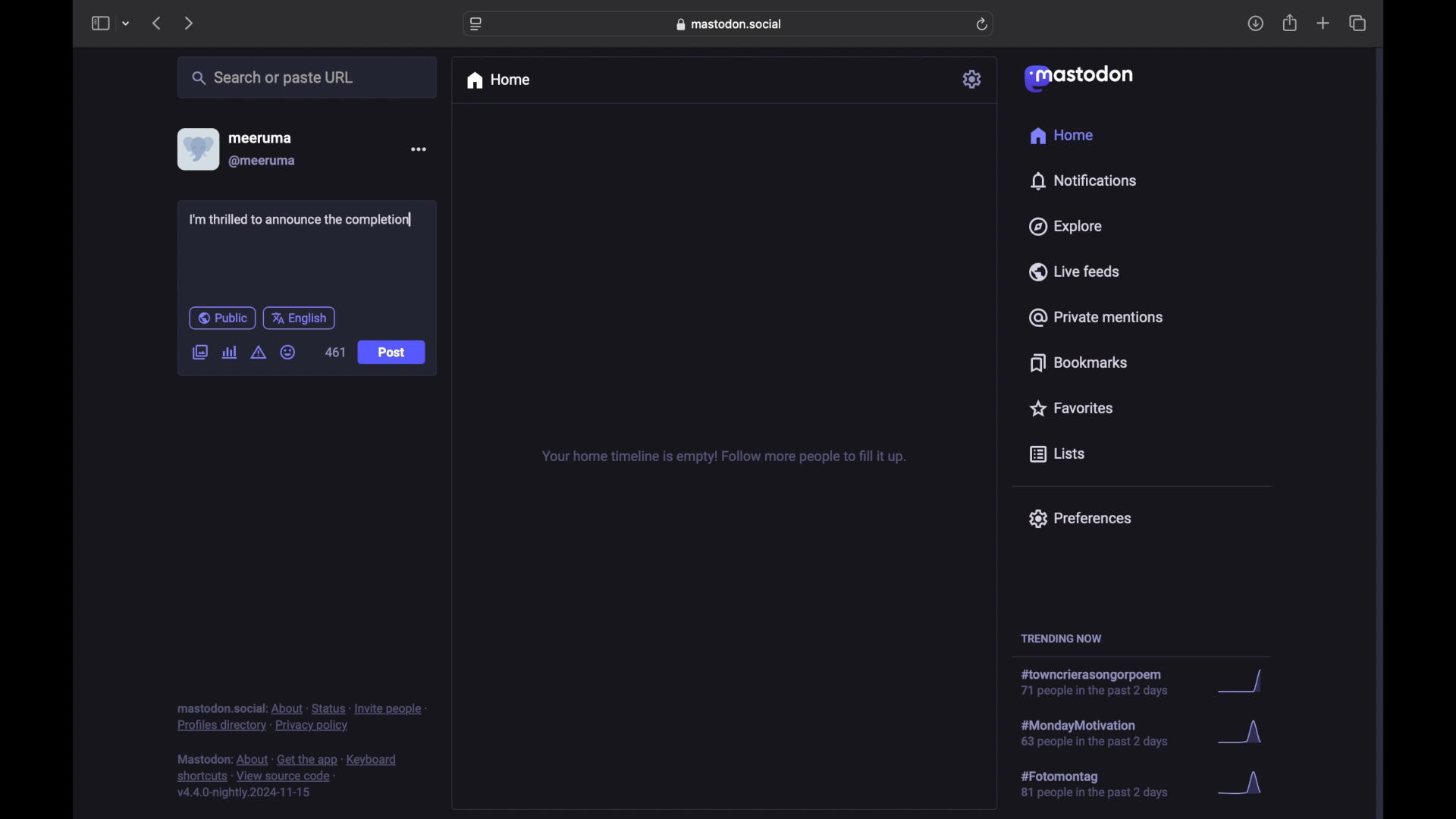  What do you see at coordinates (196, 149) in the screenshot?
I see `display picture` at bounding box center [196, 149].